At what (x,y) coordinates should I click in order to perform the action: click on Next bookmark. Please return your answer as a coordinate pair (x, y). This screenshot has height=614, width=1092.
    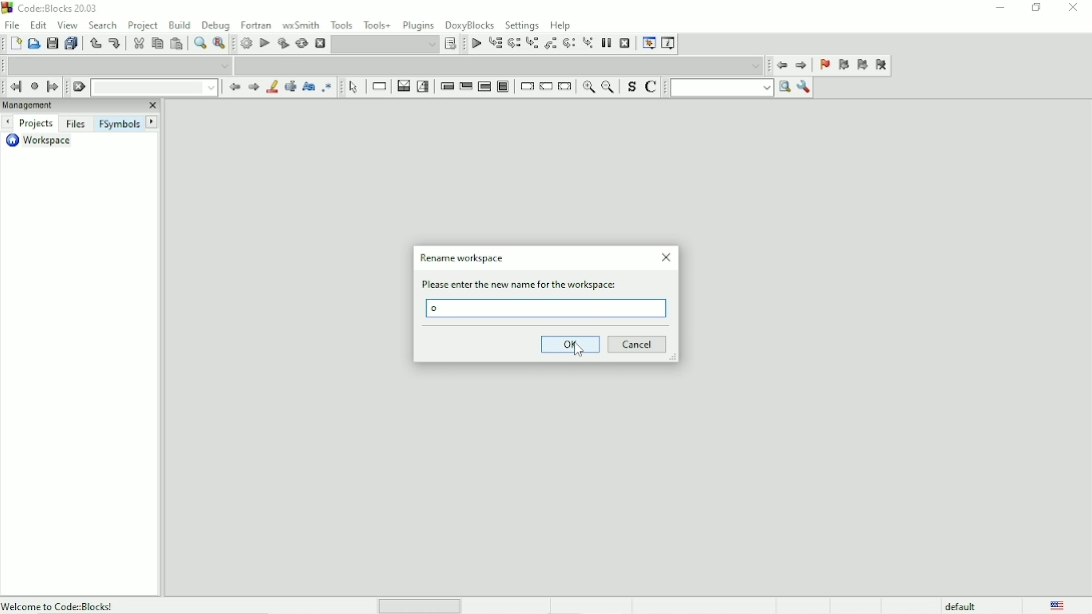
    Looking at the image, I should click on (862, 66).